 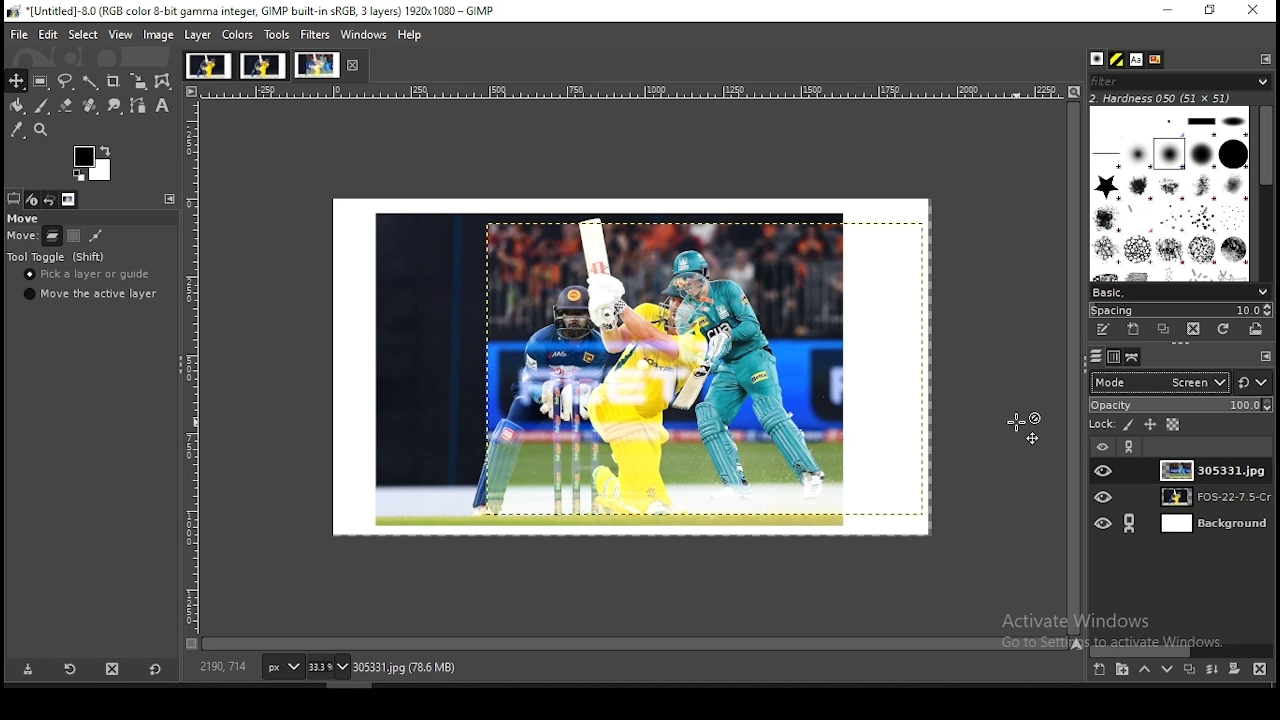 What do you see at coordinates (90, 274) in the screenshot?
I see `pick a layer or guide` at bounding box center [90, 274].